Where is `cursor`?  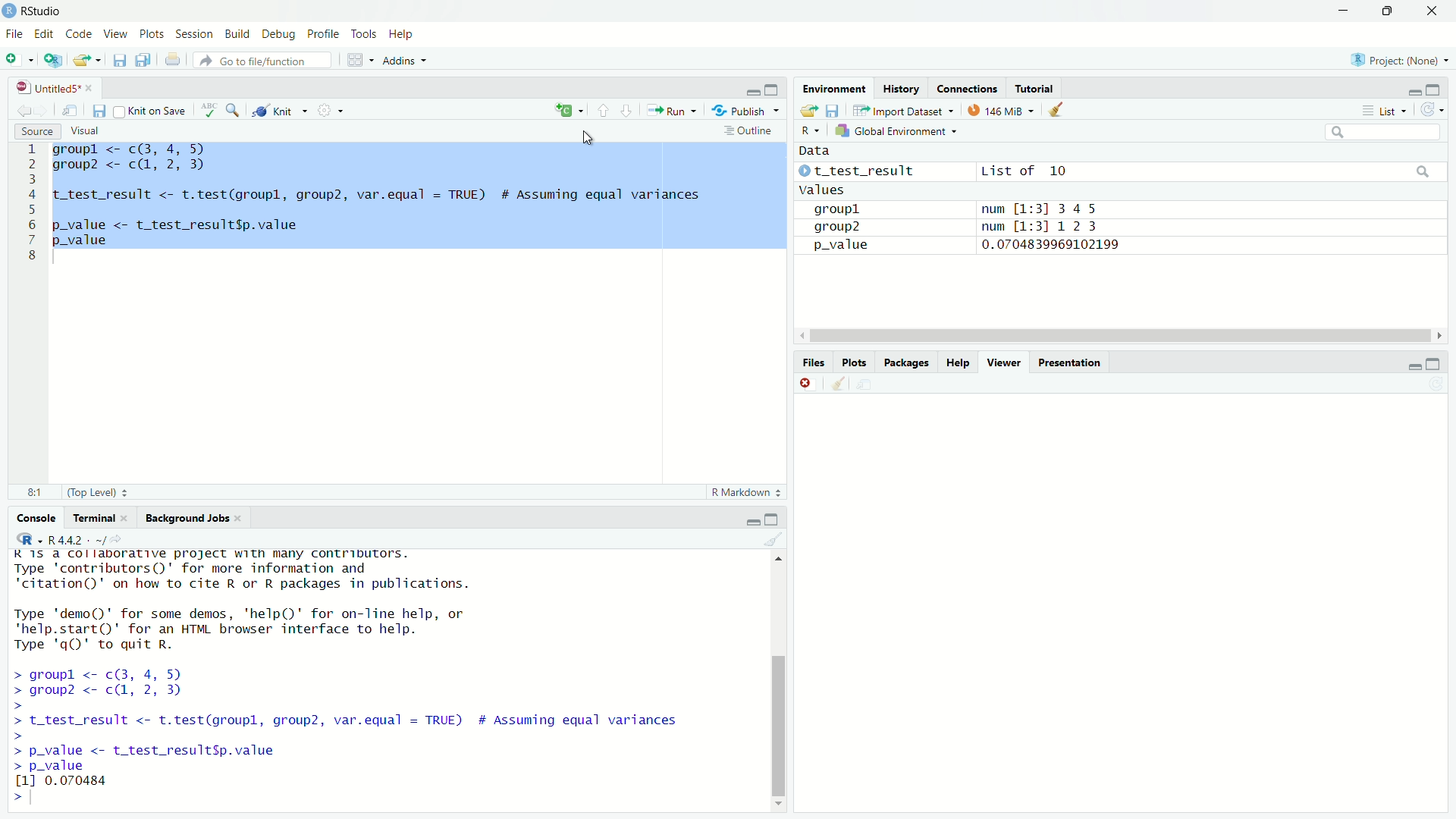 cursor is located at coordinates (587, 135).